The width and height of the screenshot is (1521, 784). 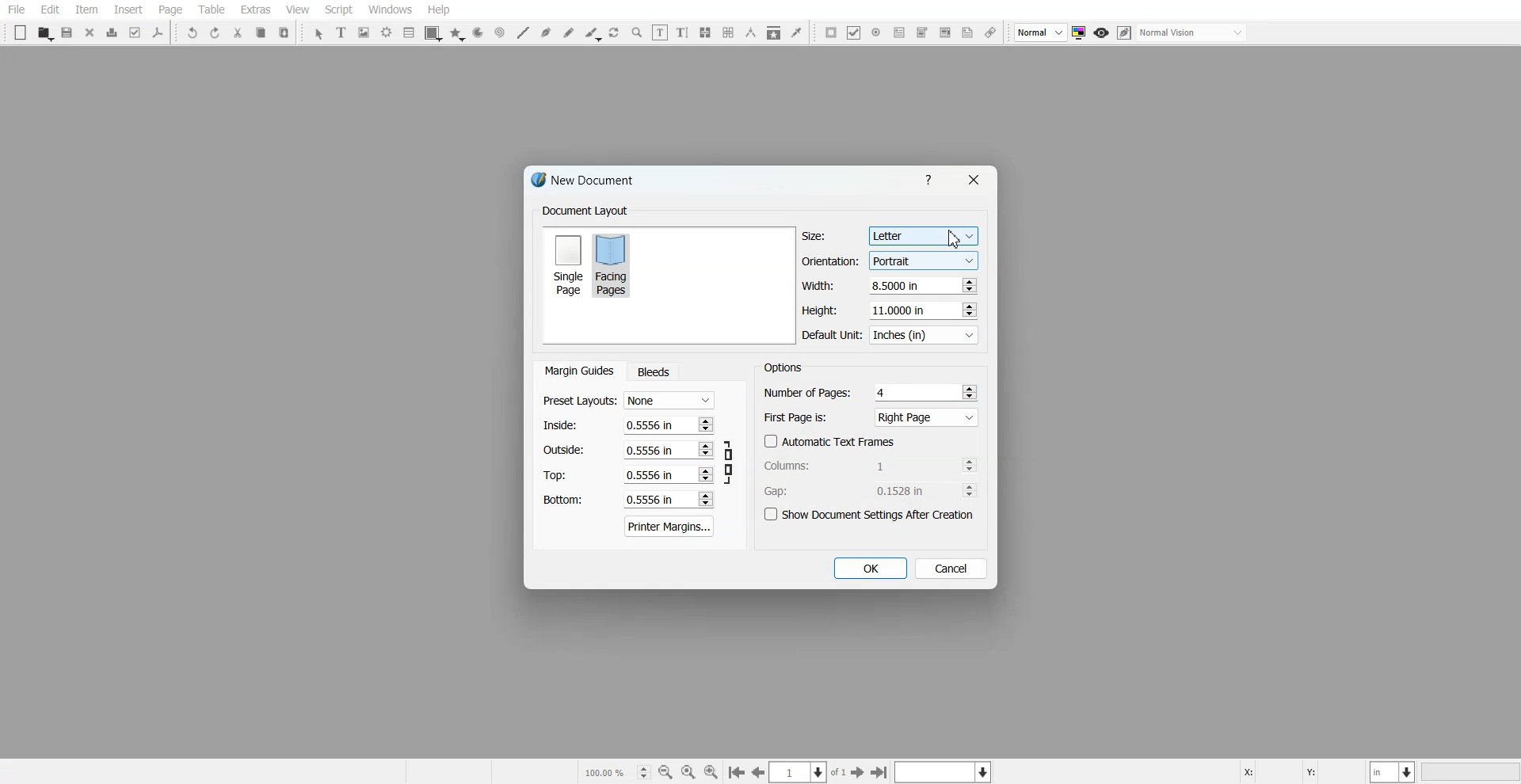 I want to click on Unlink Text Frame, so click(x=729, y=32).